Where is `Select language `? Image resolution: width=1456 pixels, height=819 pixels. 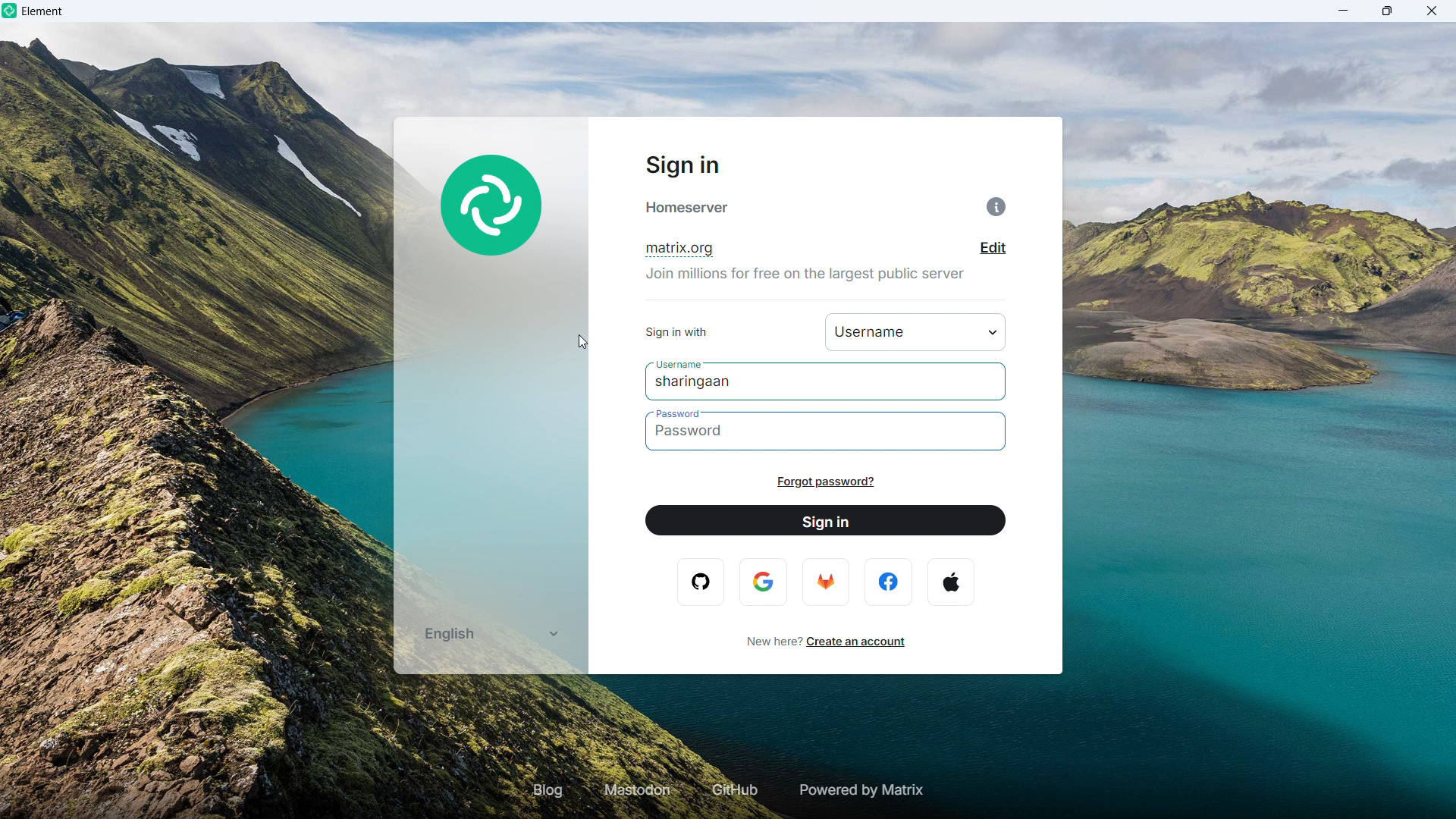
Select language  is located at coordinates (489, 633).